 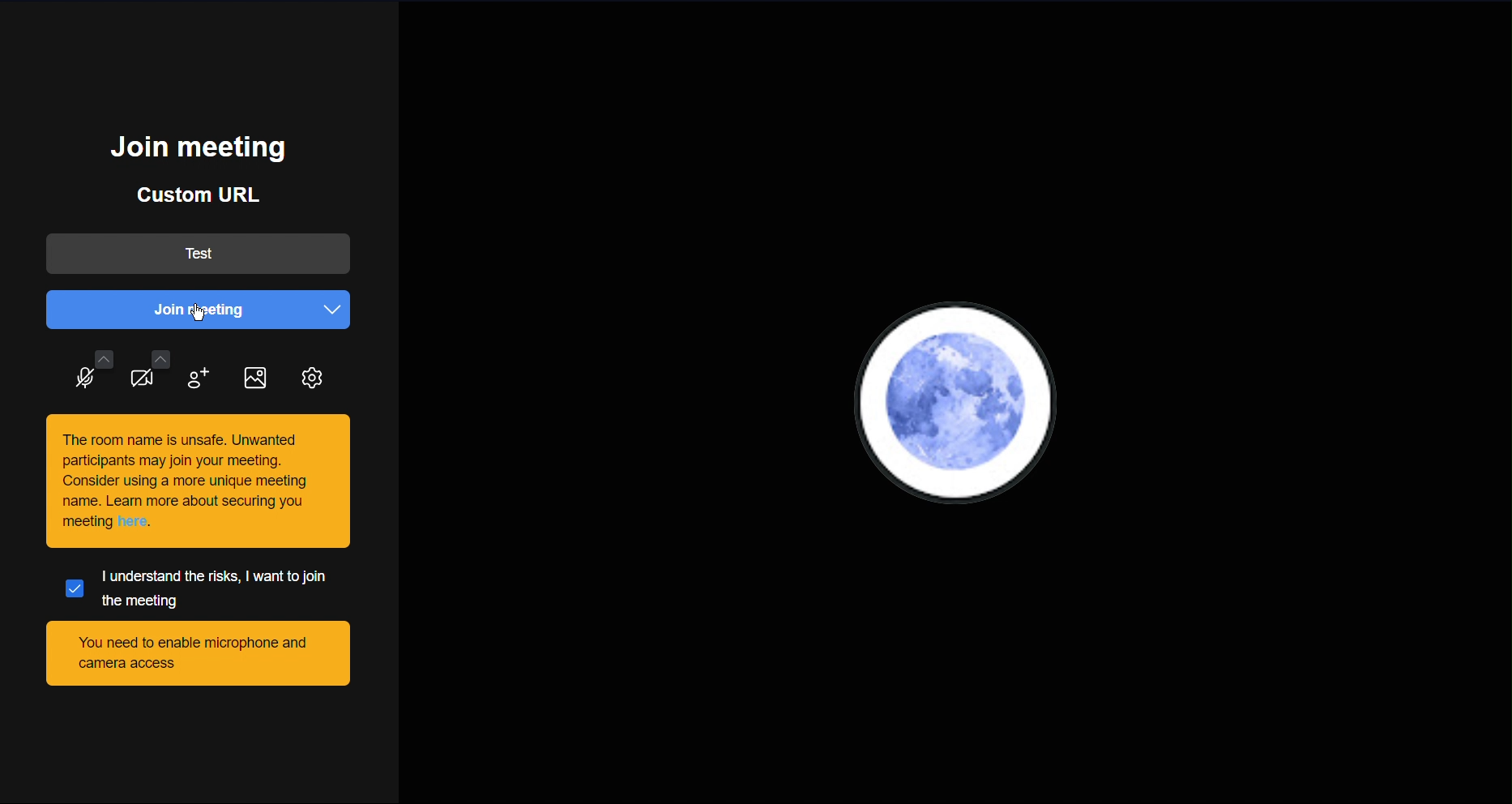 I want to click on I understand the risks, so click(x=217, y=588).